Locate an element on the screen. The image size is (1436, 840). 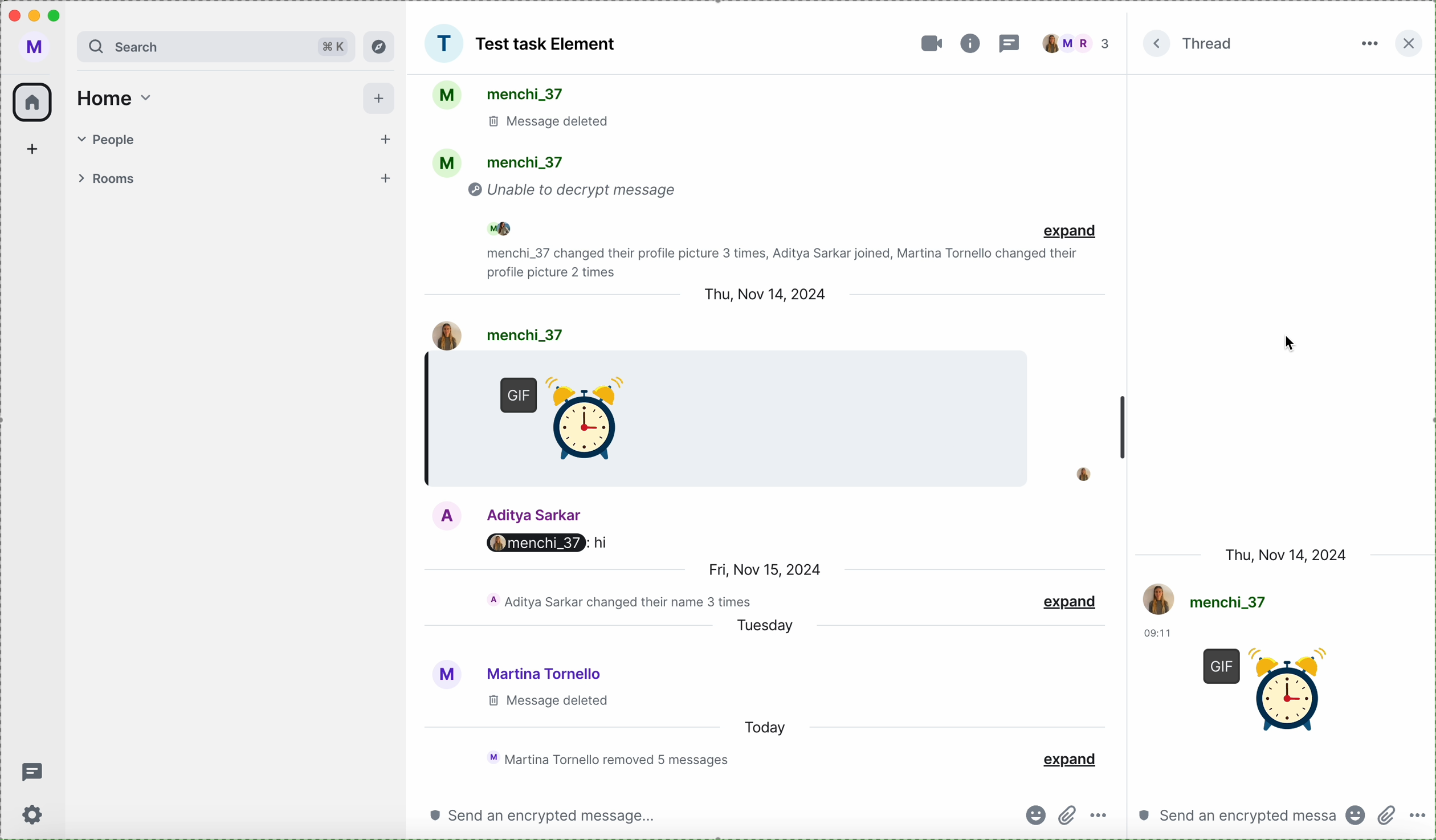
settings is located at coordinates (35, 816).